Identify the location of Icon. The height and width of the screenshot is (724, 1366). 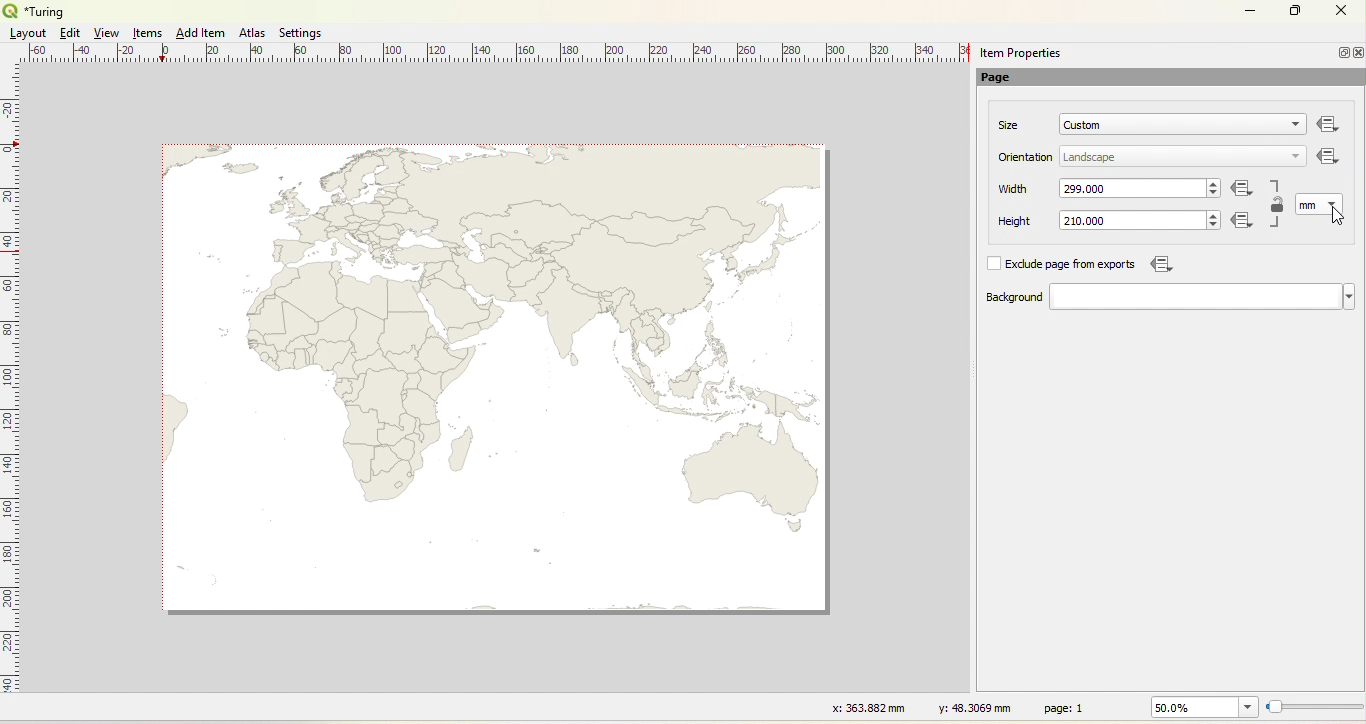
(1243, 190).